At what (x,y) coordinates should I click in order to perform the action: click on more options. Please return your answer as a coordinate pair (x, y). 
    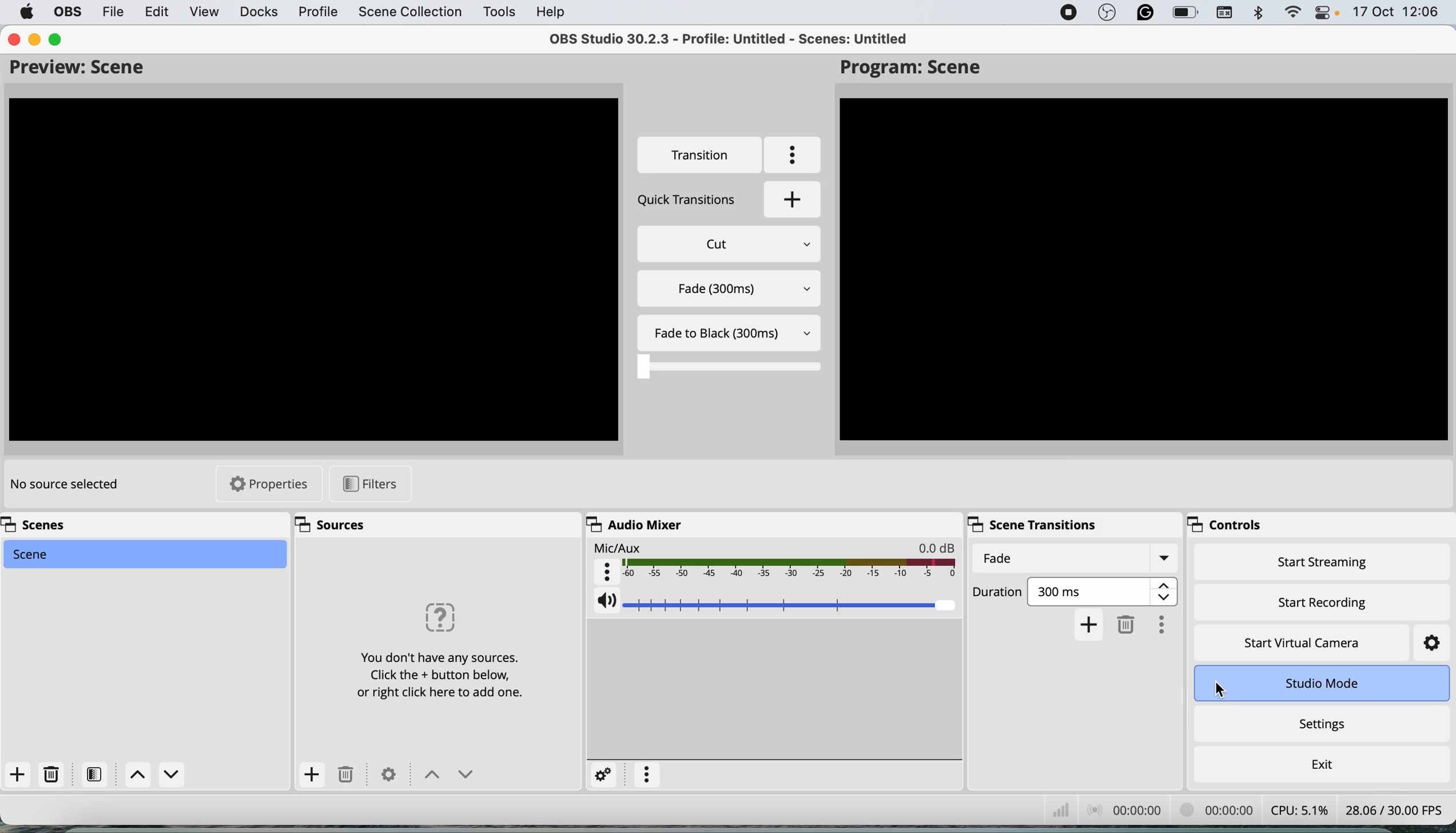
    Looking at the image, I should click on (795, 154).